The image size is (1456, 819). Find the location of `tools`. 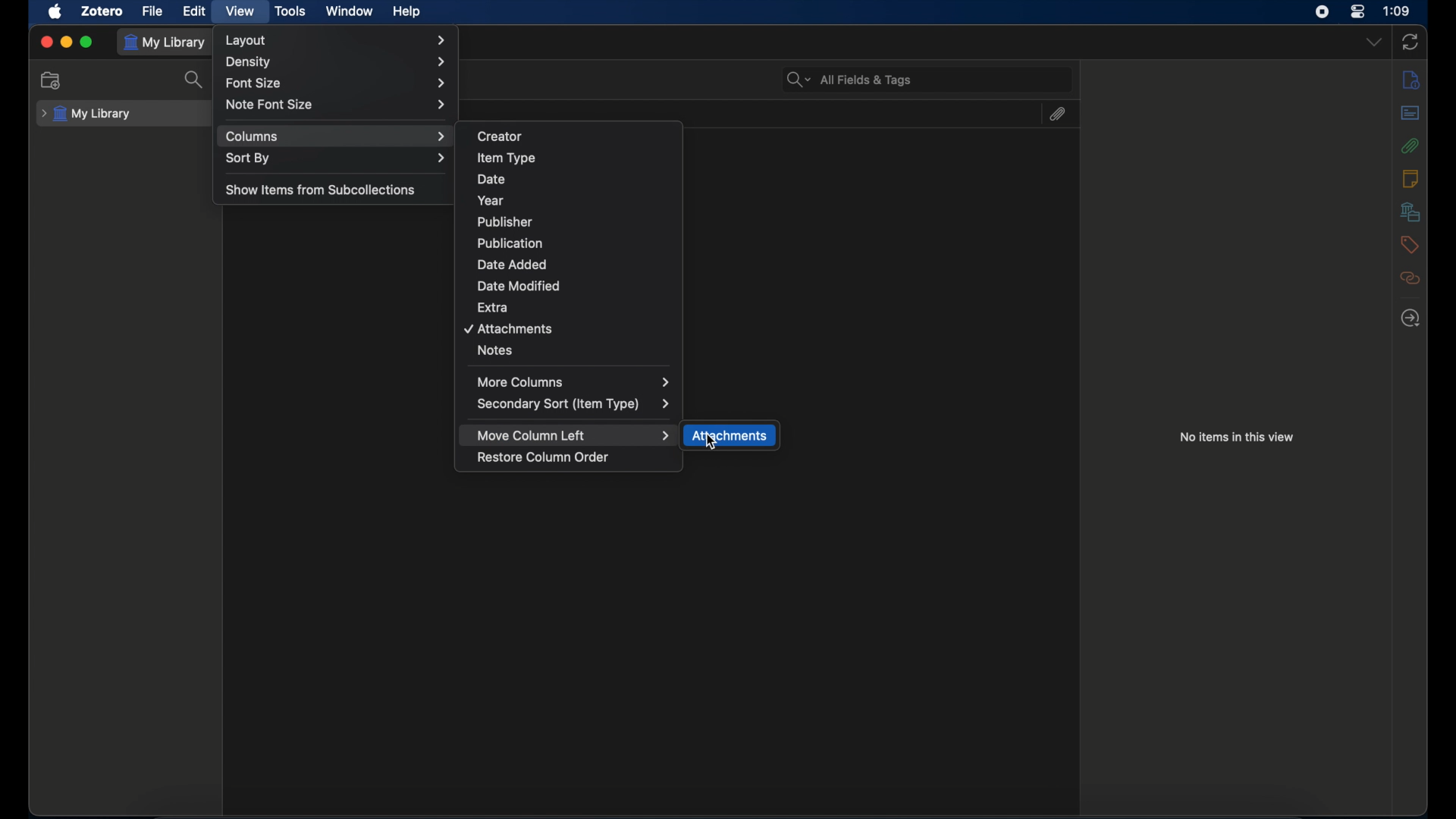

tools is located at coordinates (291, 11).